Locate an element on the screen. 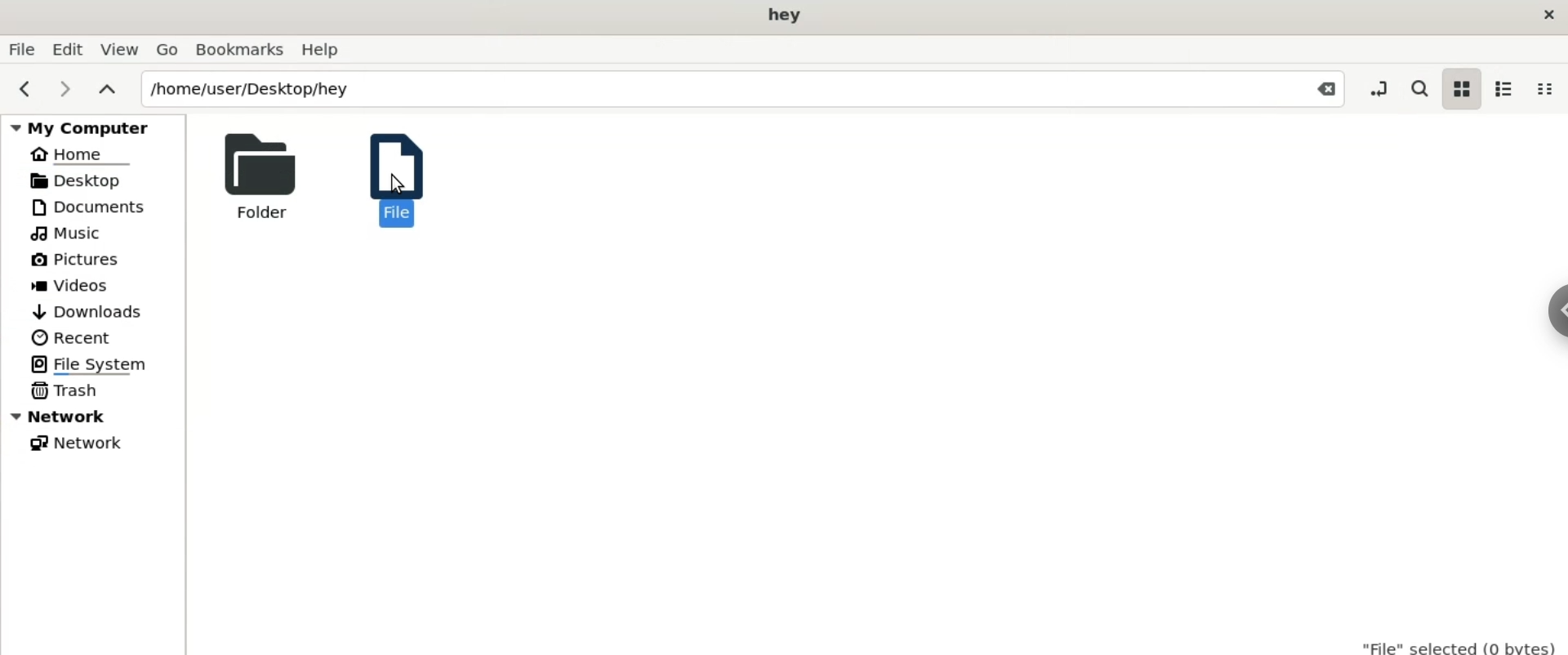 The width and height of the screenshot is (1568, 655). documents is located at coordinates (95, 207).